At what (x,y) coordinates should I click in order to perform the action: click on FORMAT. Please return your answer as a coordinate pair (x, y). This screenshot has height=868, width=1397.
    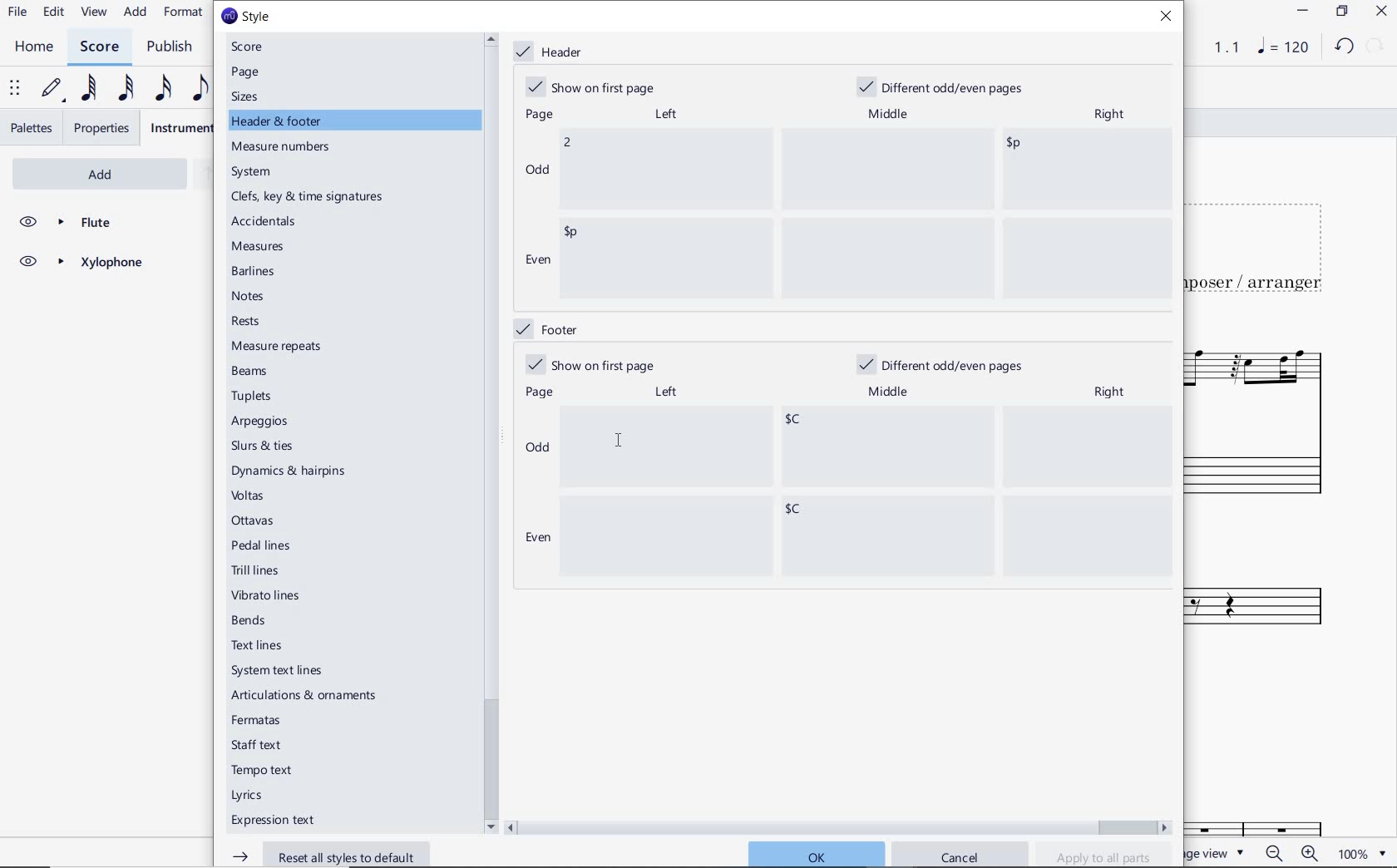
    Looking at the image, I should click on (184, 13).